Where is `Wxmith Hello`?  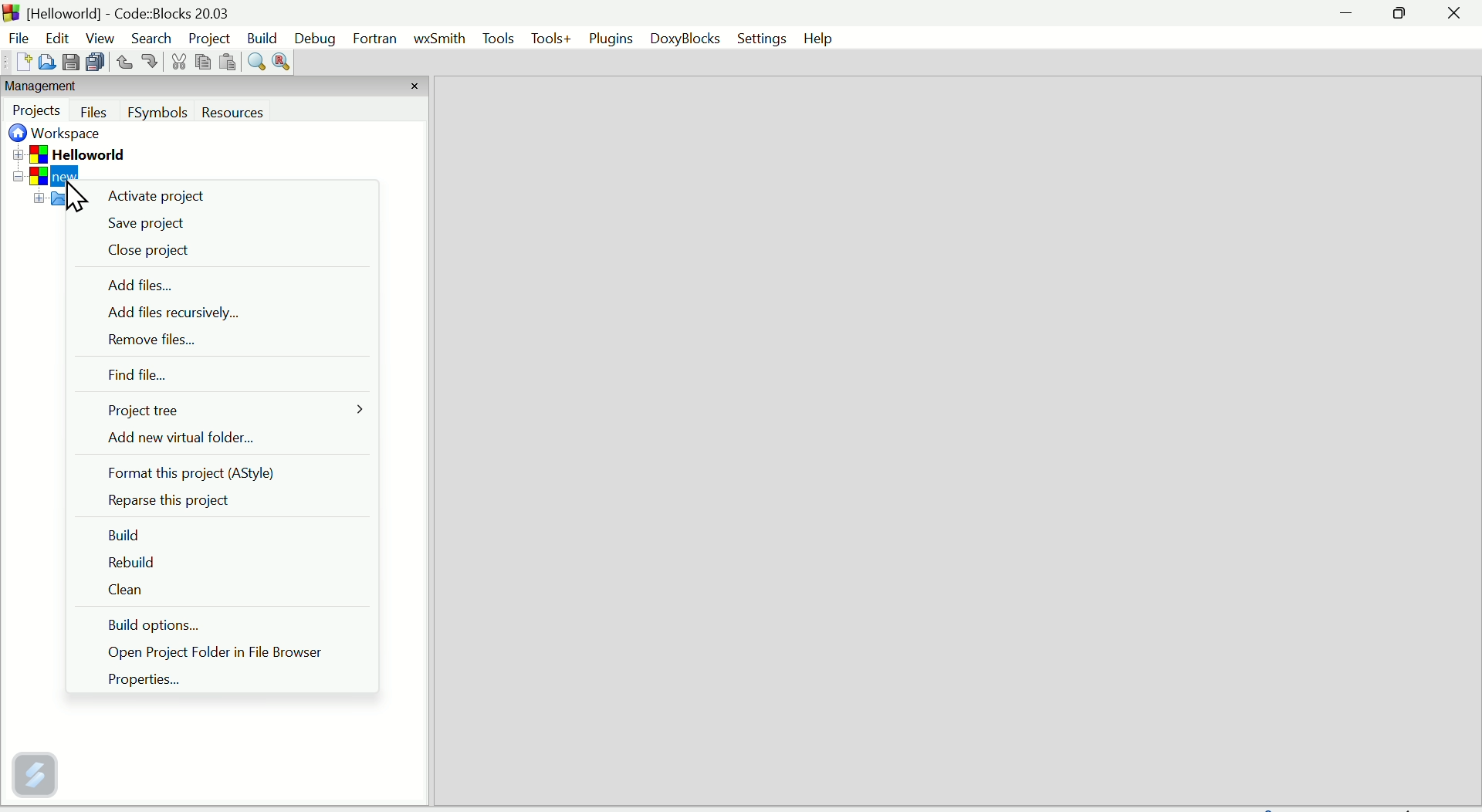
Wxmith Hello is located at coordinates (441, 43).